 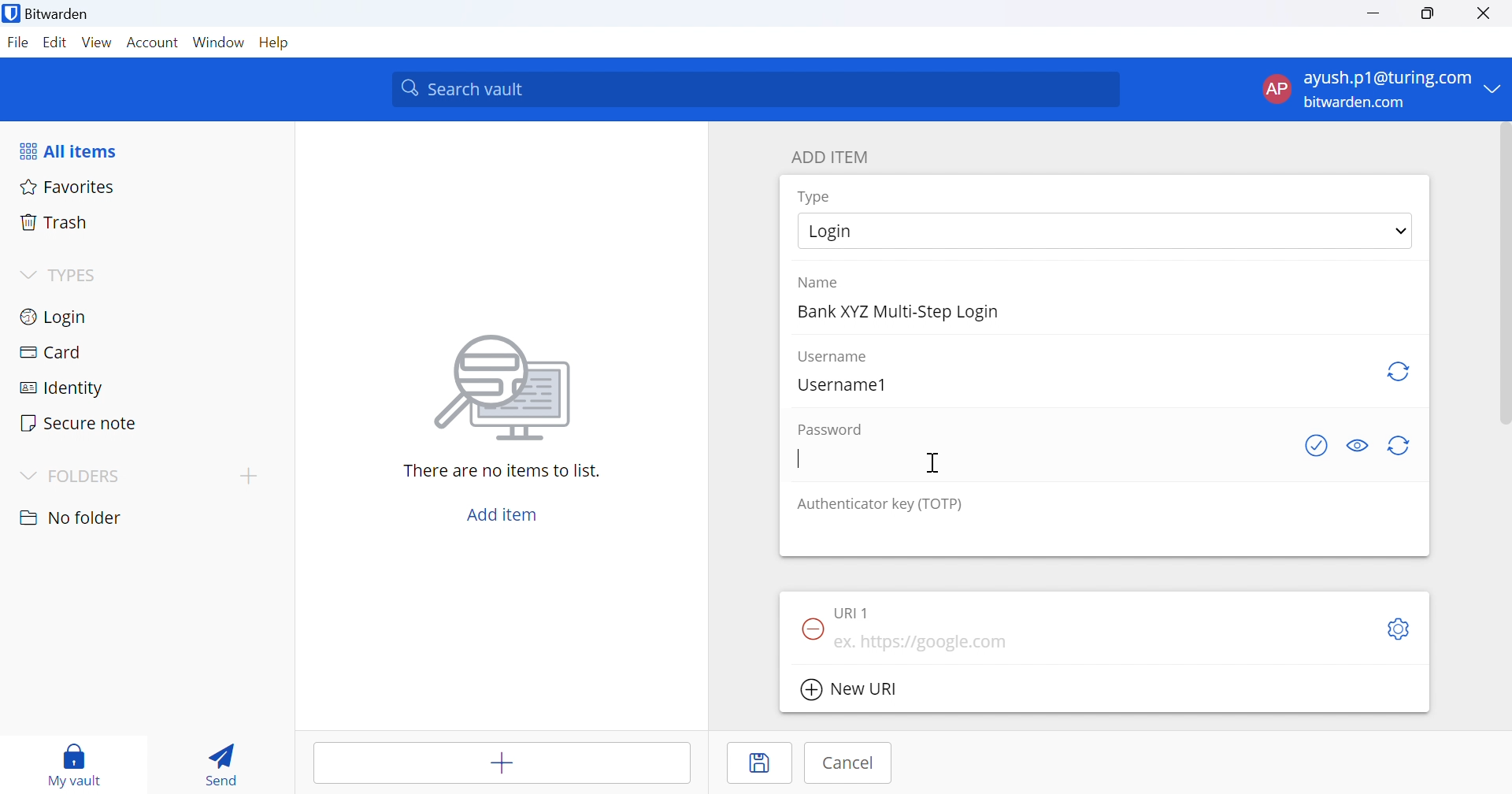 I want to click on Add item, so click(x=503, y=512).